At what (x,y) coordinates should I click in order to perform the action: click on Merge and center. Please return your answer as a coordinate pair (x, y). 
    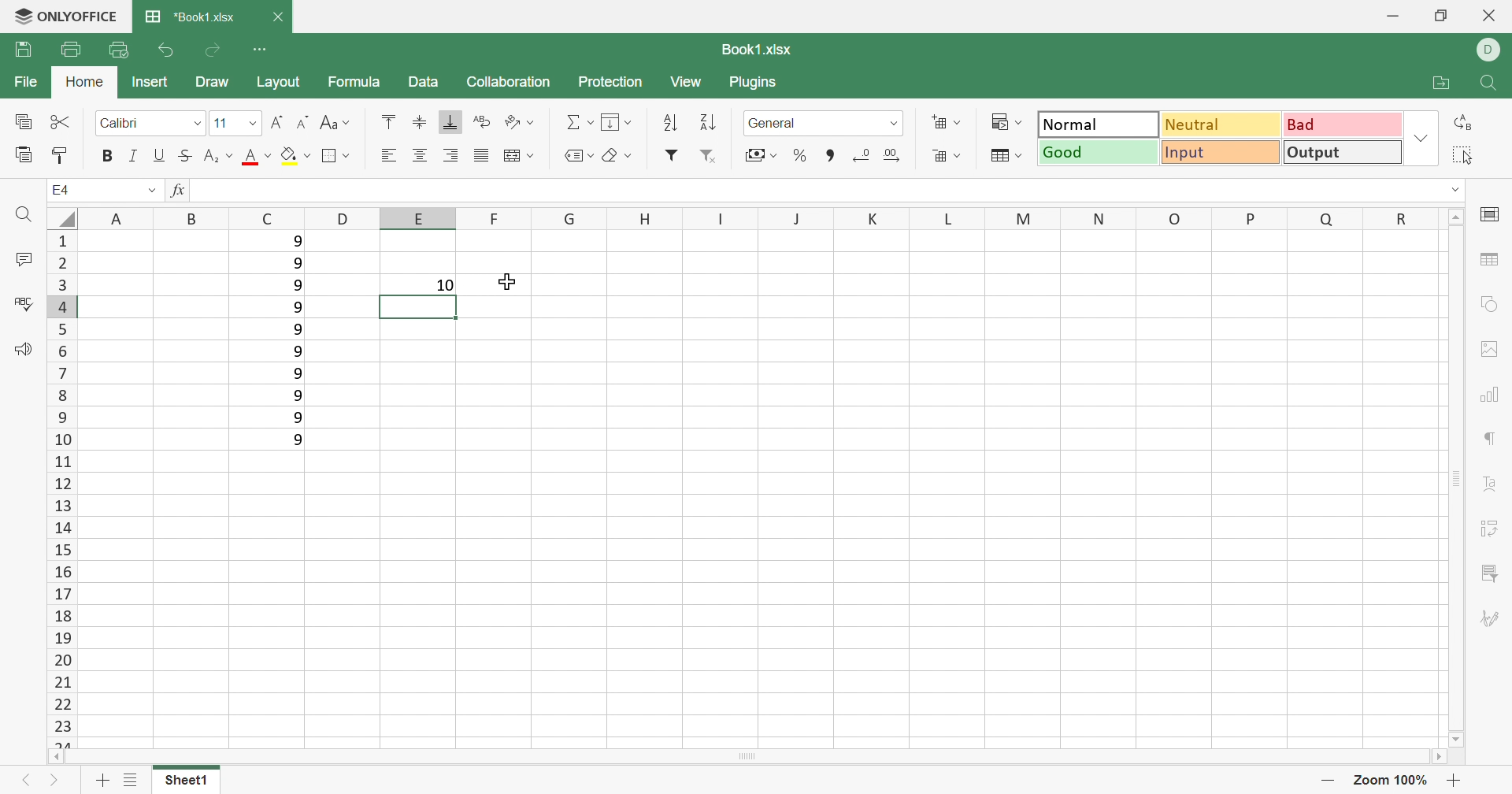
    Looking at the image, I should click on (521, 155).